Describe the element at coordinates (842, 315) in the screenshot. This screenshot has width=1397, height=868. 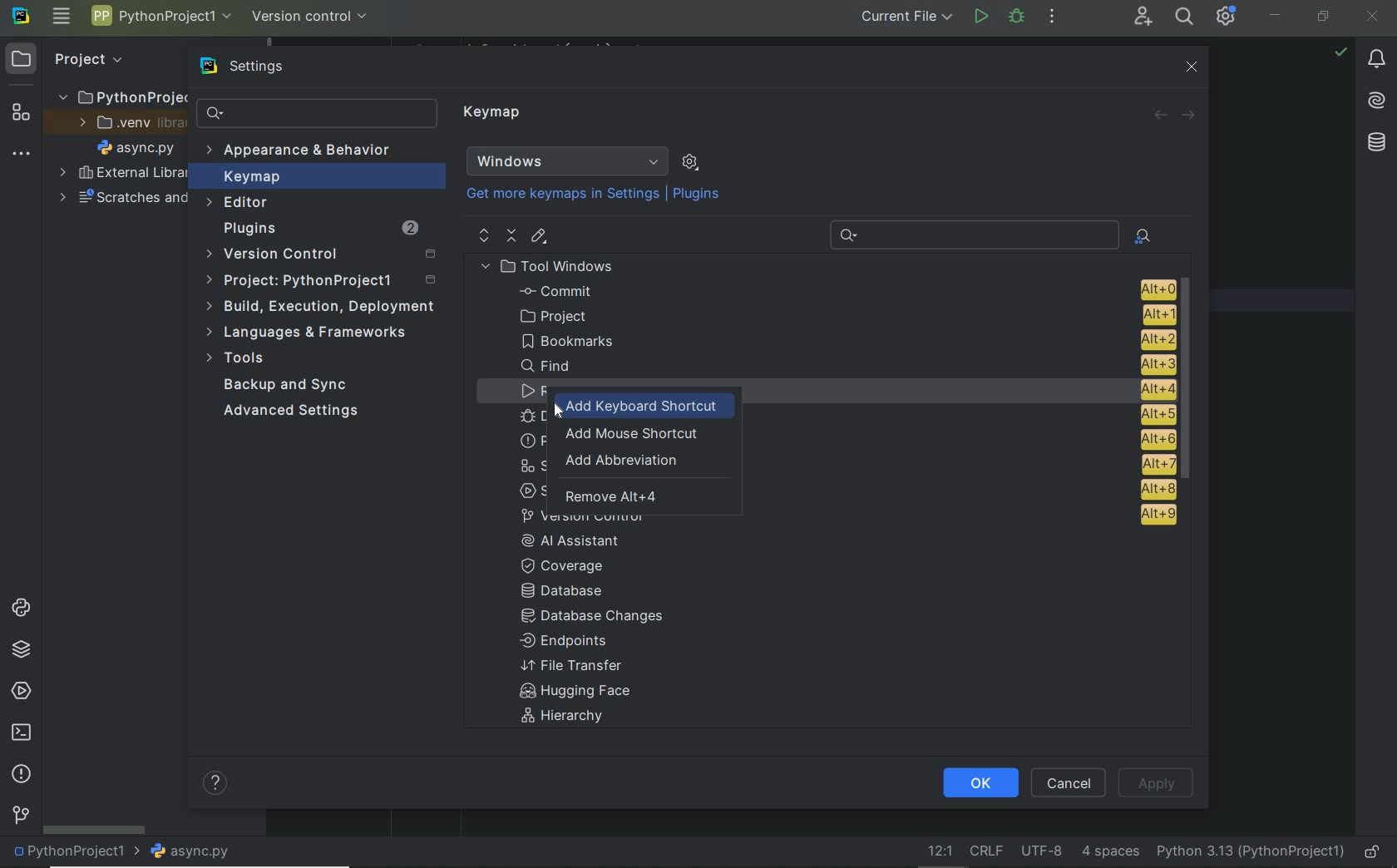
I see `project` at that location.